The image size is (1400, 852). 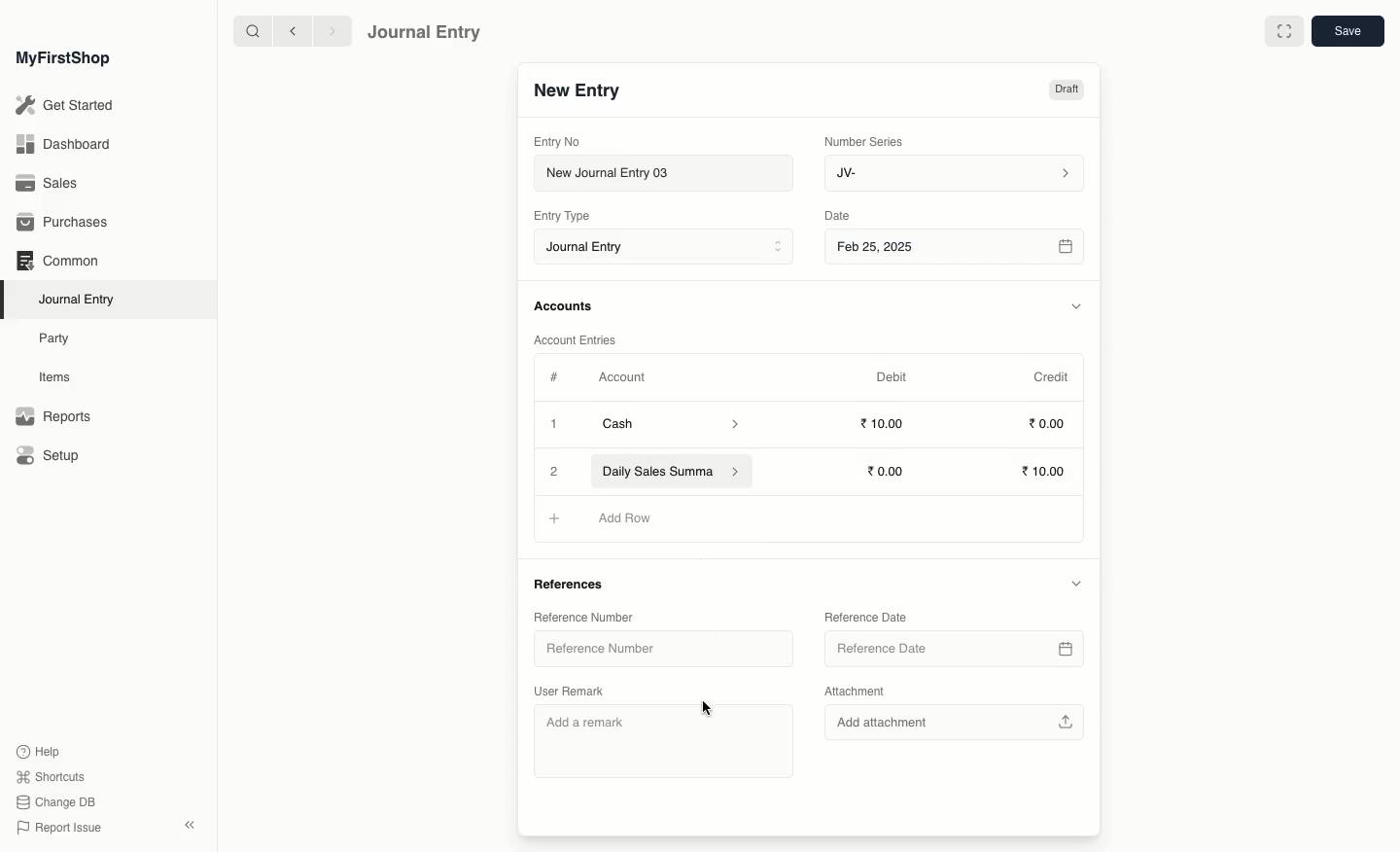 What do you see at coordinates (634, 518) in the screenshot?
I see `INCOME` at bounding box center [634, 518].